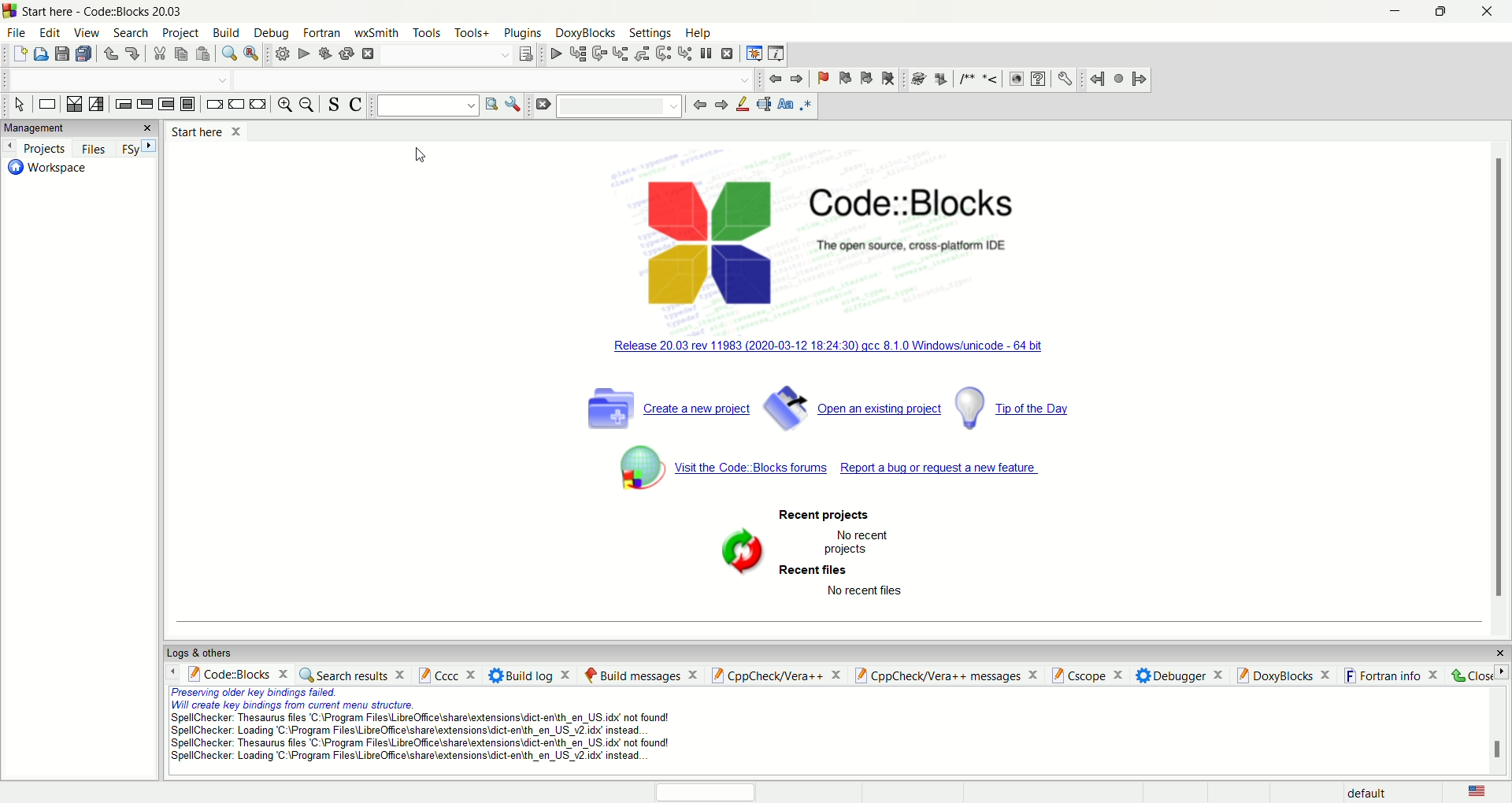  Describe the element at coordinates (775, 80) in the screenshot. I see `jump back` at that location.